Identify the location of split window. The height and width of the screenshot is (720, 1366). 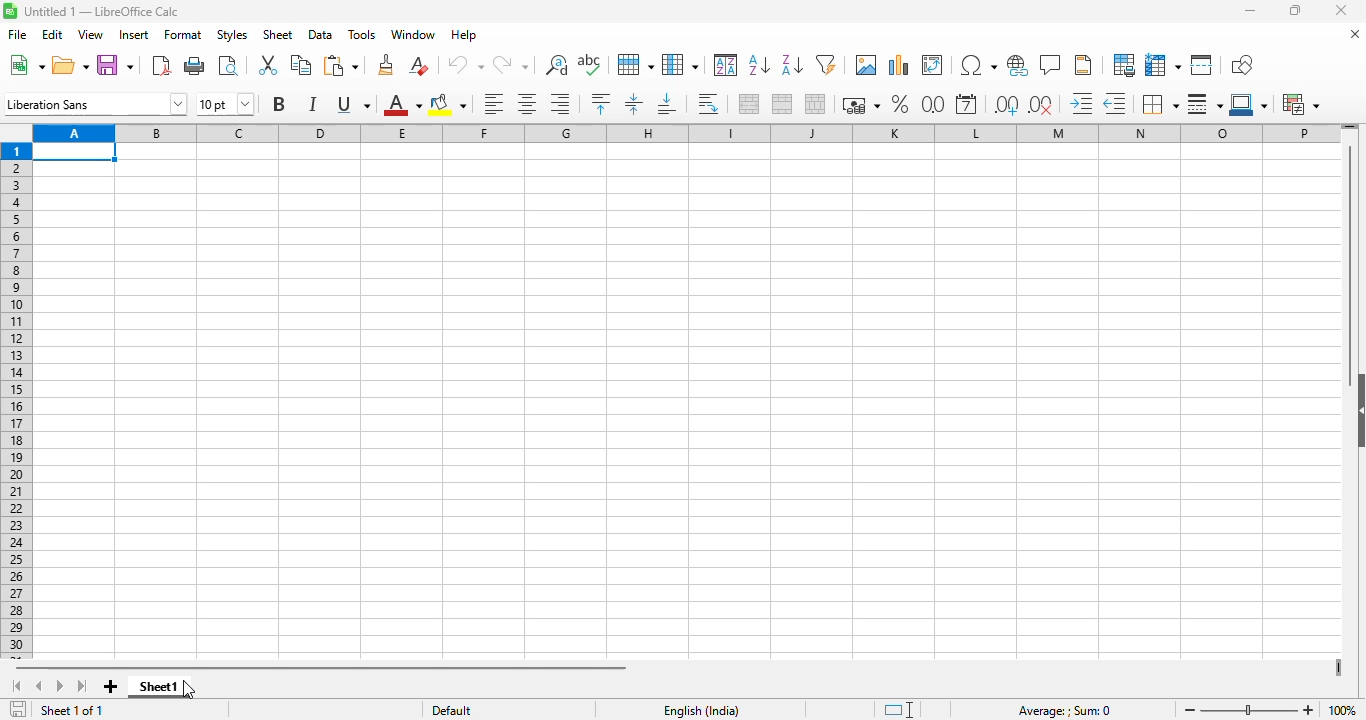
(1202, 65).